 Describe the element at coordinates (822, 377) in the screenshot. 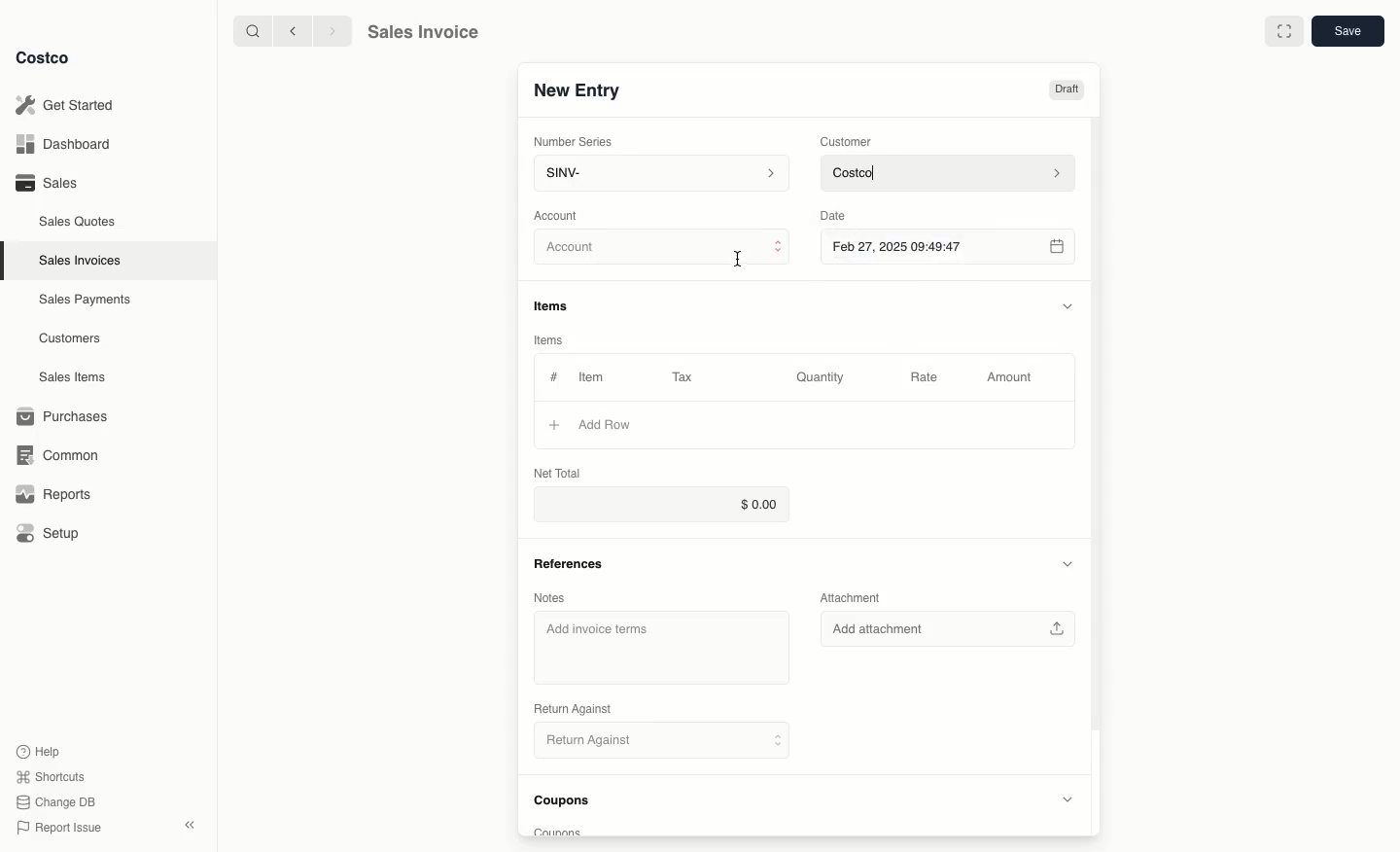

I see `Quantity` at that location.